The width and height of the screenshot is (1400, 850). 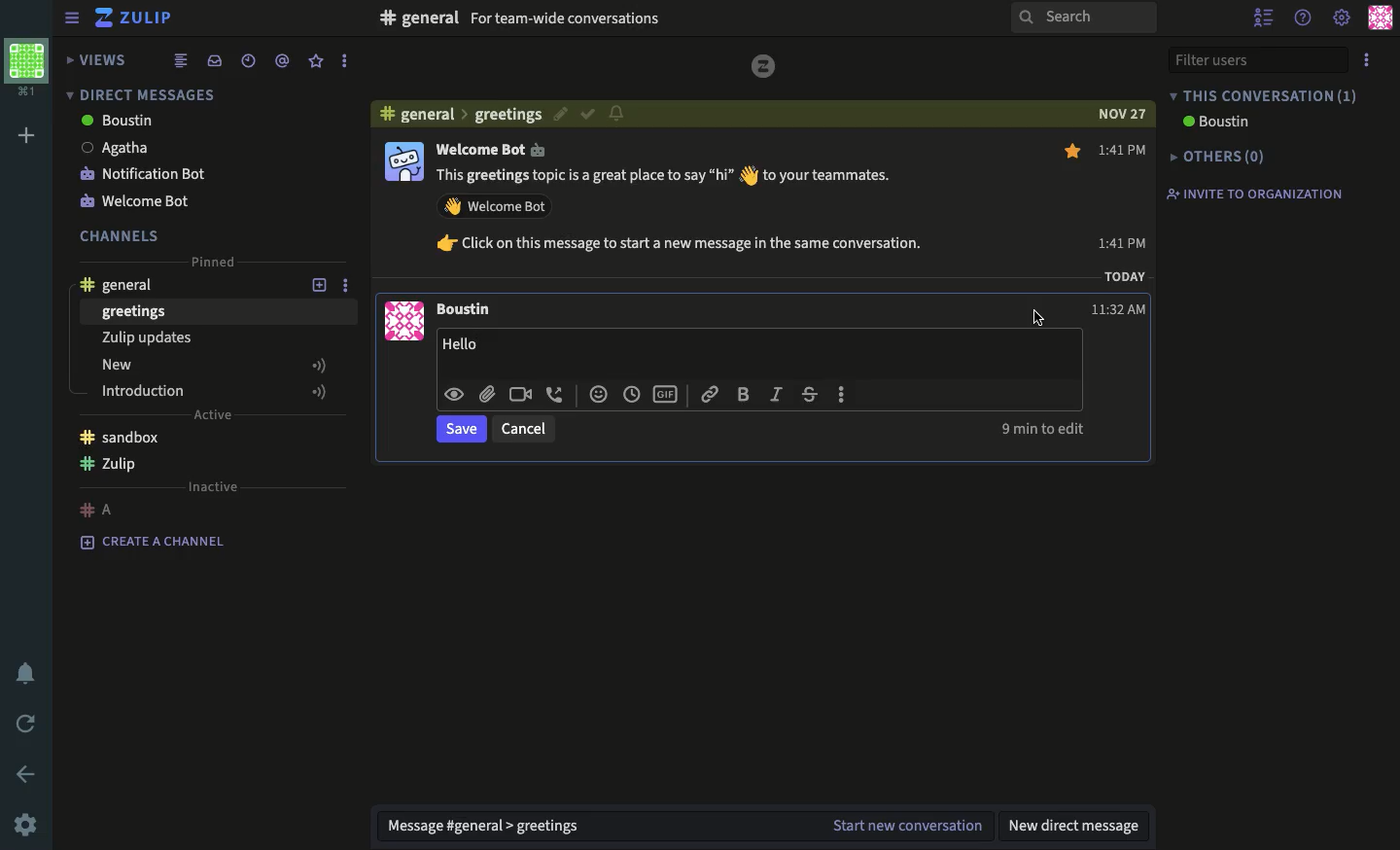 I want to click on others, so click(x=1219, y=156).